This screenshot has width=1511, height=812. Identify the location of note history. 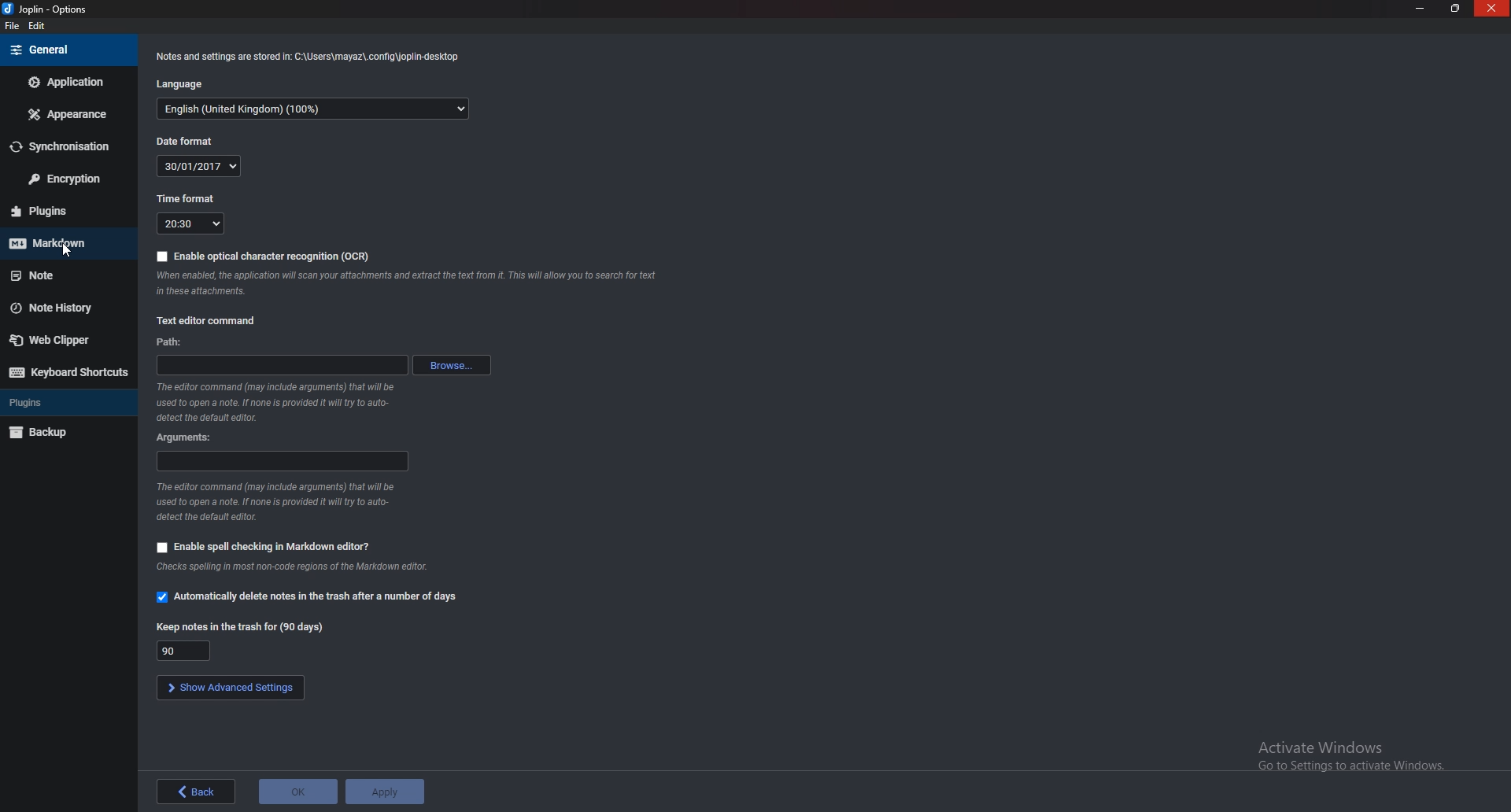
(67, 306).